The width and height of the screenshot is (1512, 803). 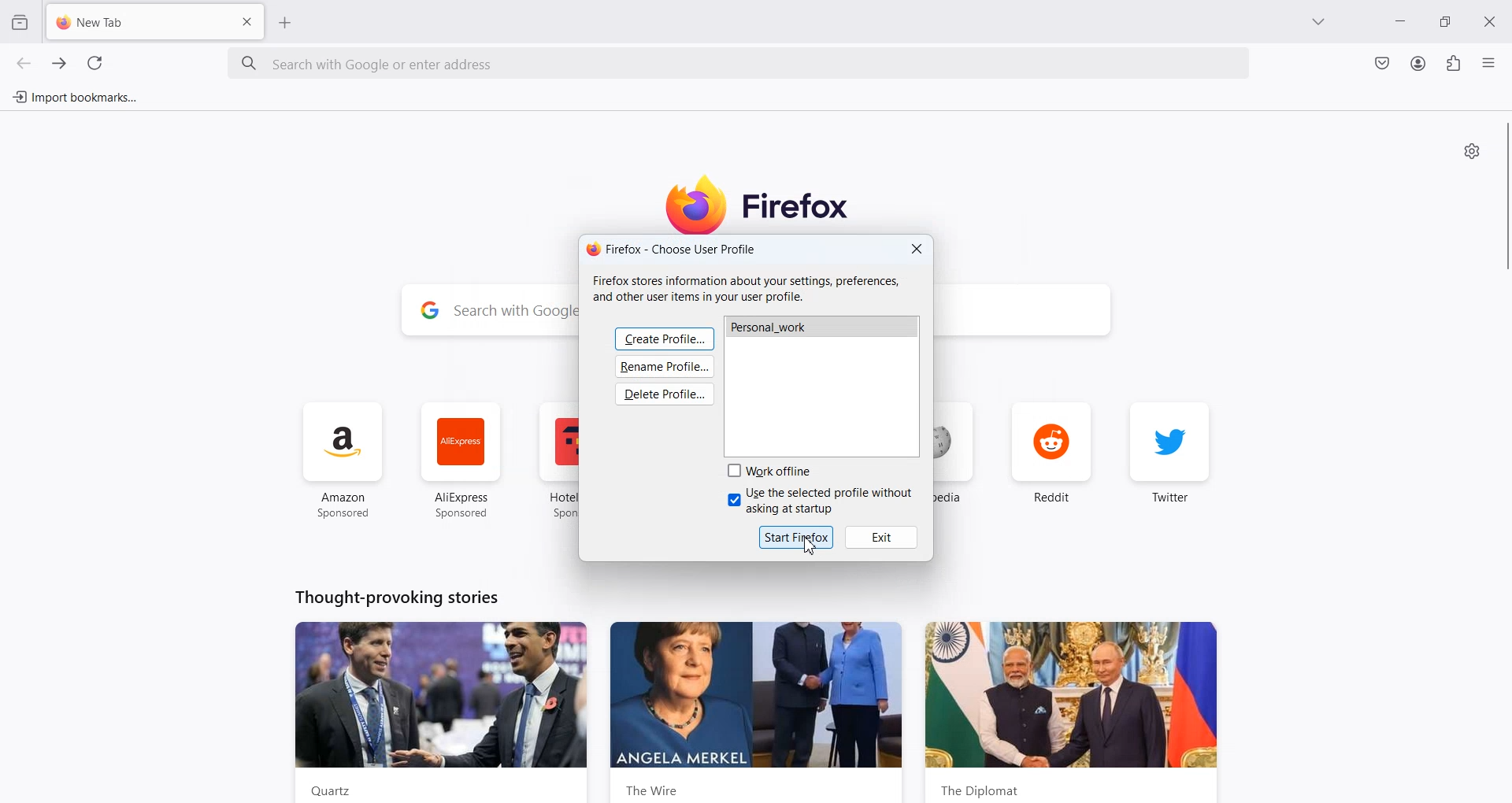 What do you see at coordinates (1402, 24) in the screenshot?
I see `Minimize` at bounding box center [1402, 24].